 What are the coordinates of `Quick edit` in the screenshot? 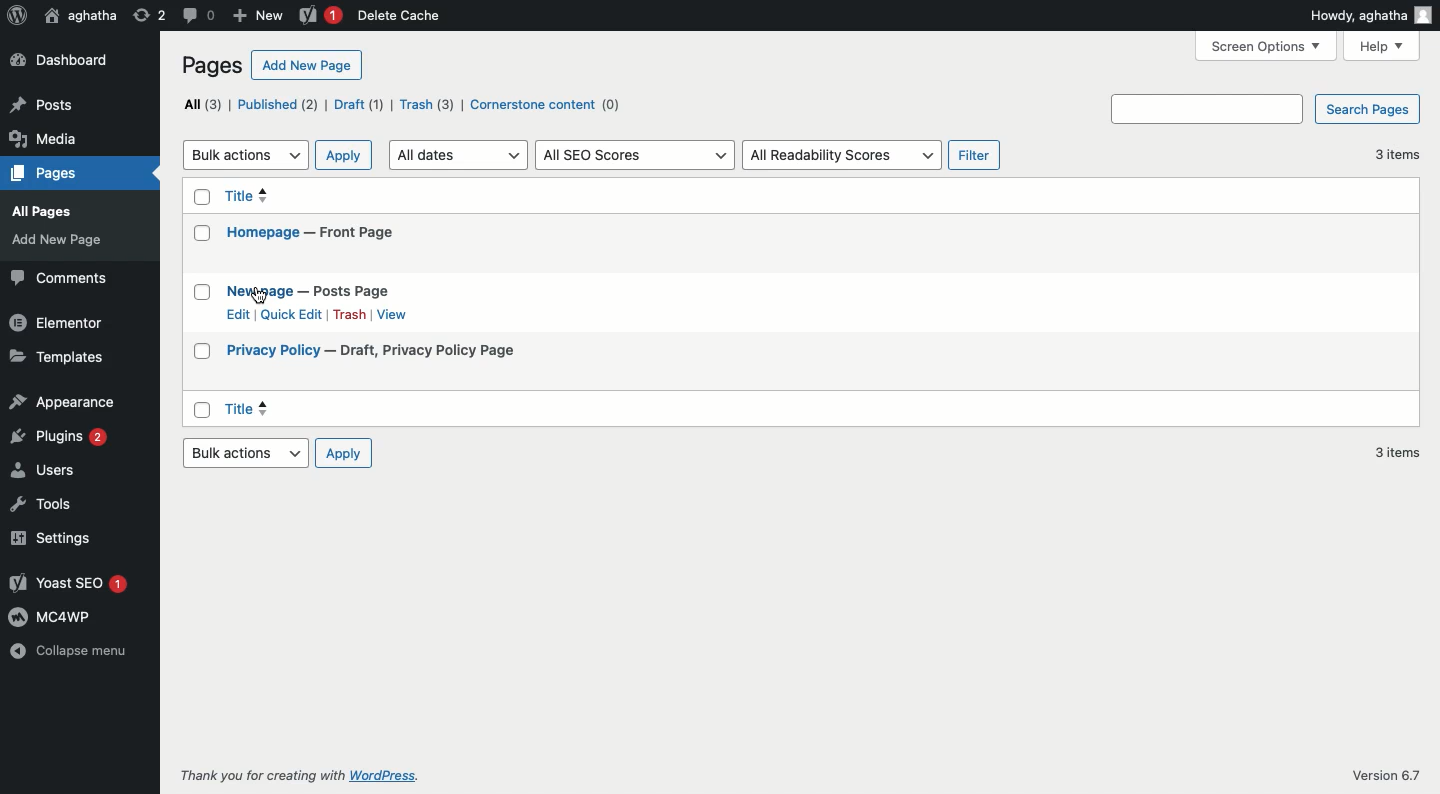 It's located at (291, 314).